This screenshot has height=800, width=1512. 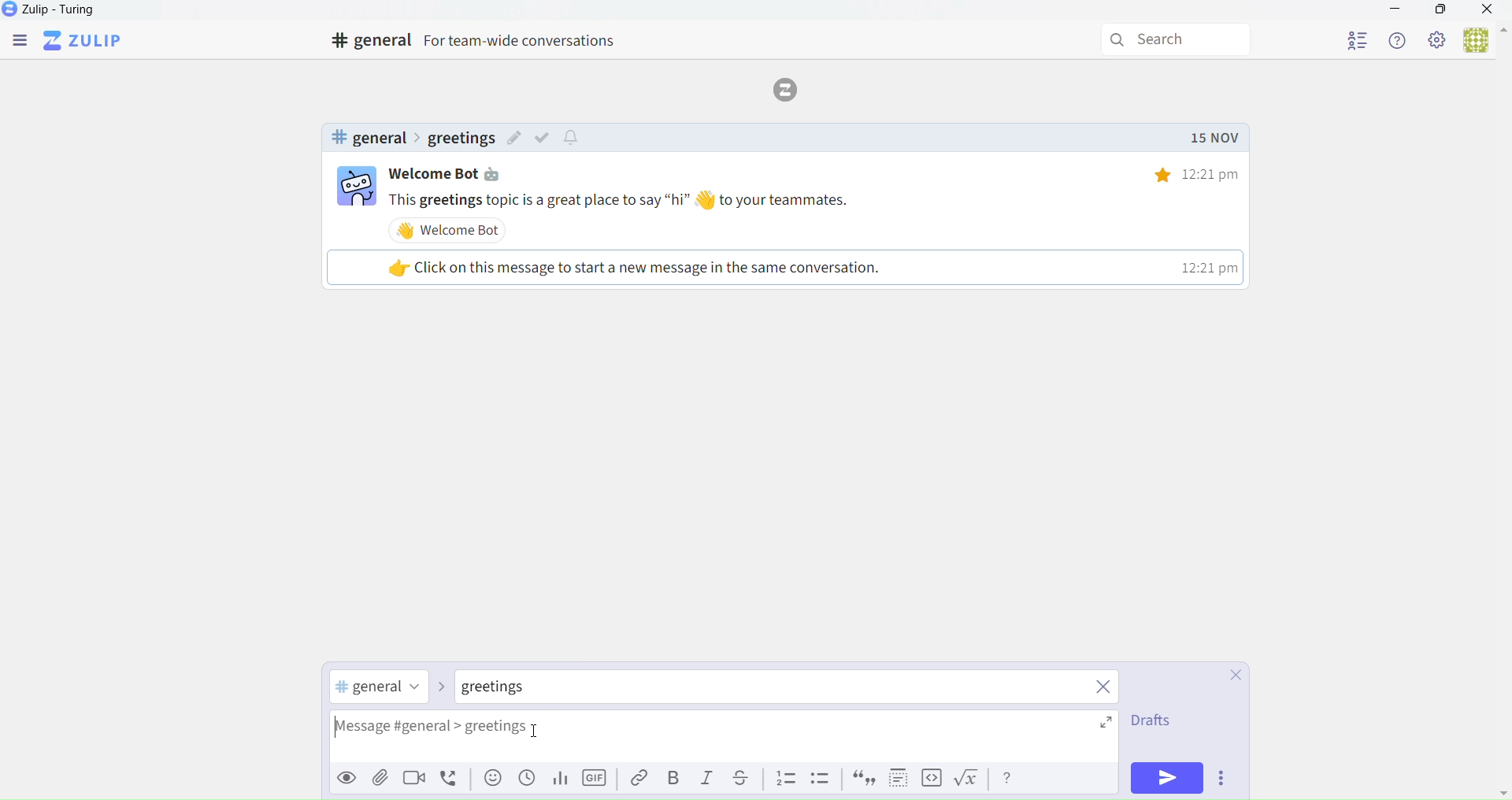 I want to click on schedule, so click(x=527, y=783).